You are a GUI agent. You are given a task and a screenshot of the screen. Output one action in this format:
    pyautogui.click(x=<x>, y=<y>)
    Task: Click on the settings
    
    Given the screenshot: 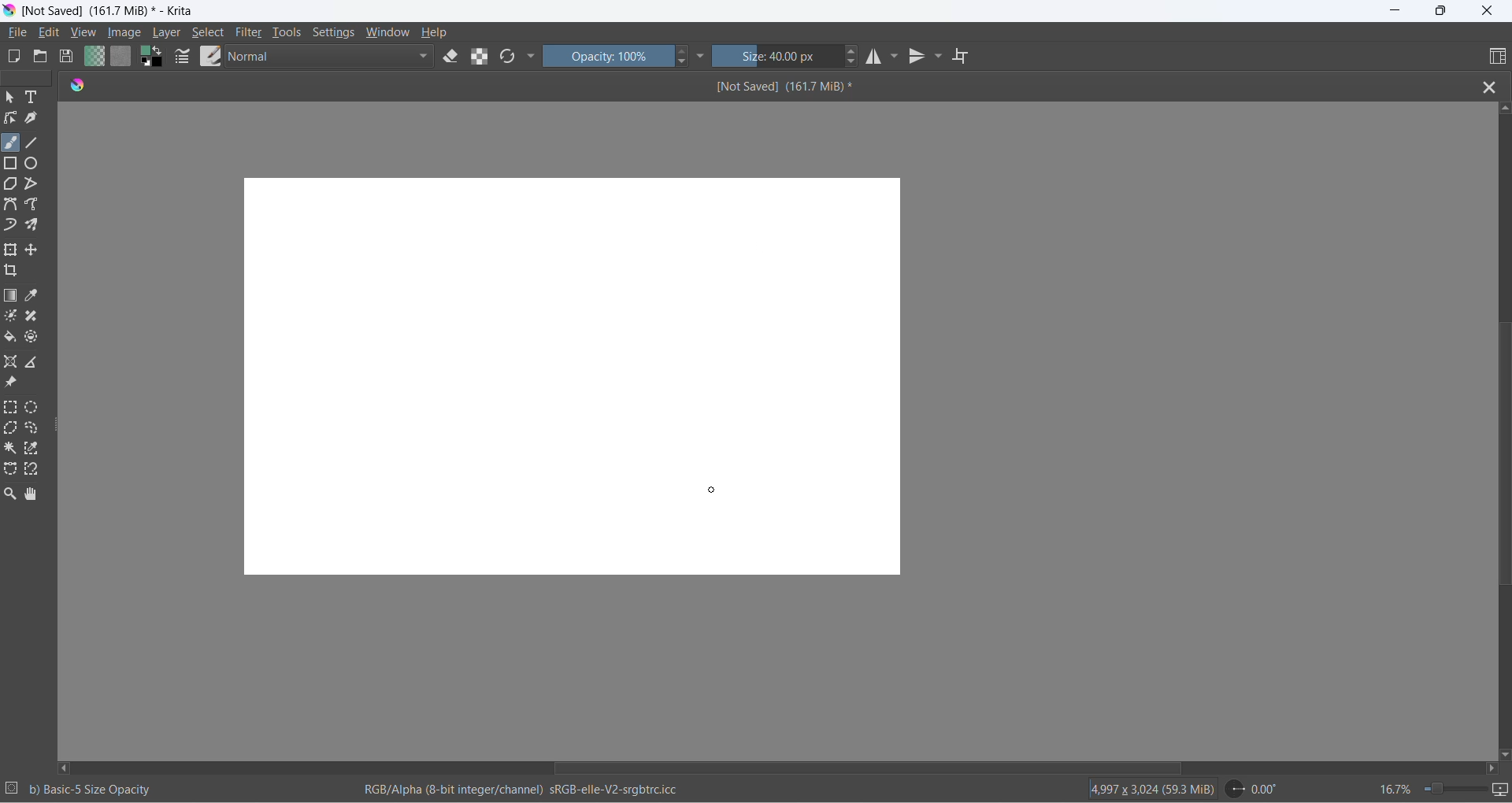 What is the action you would take?
    pyautogui.click(x=337, y=34)
    